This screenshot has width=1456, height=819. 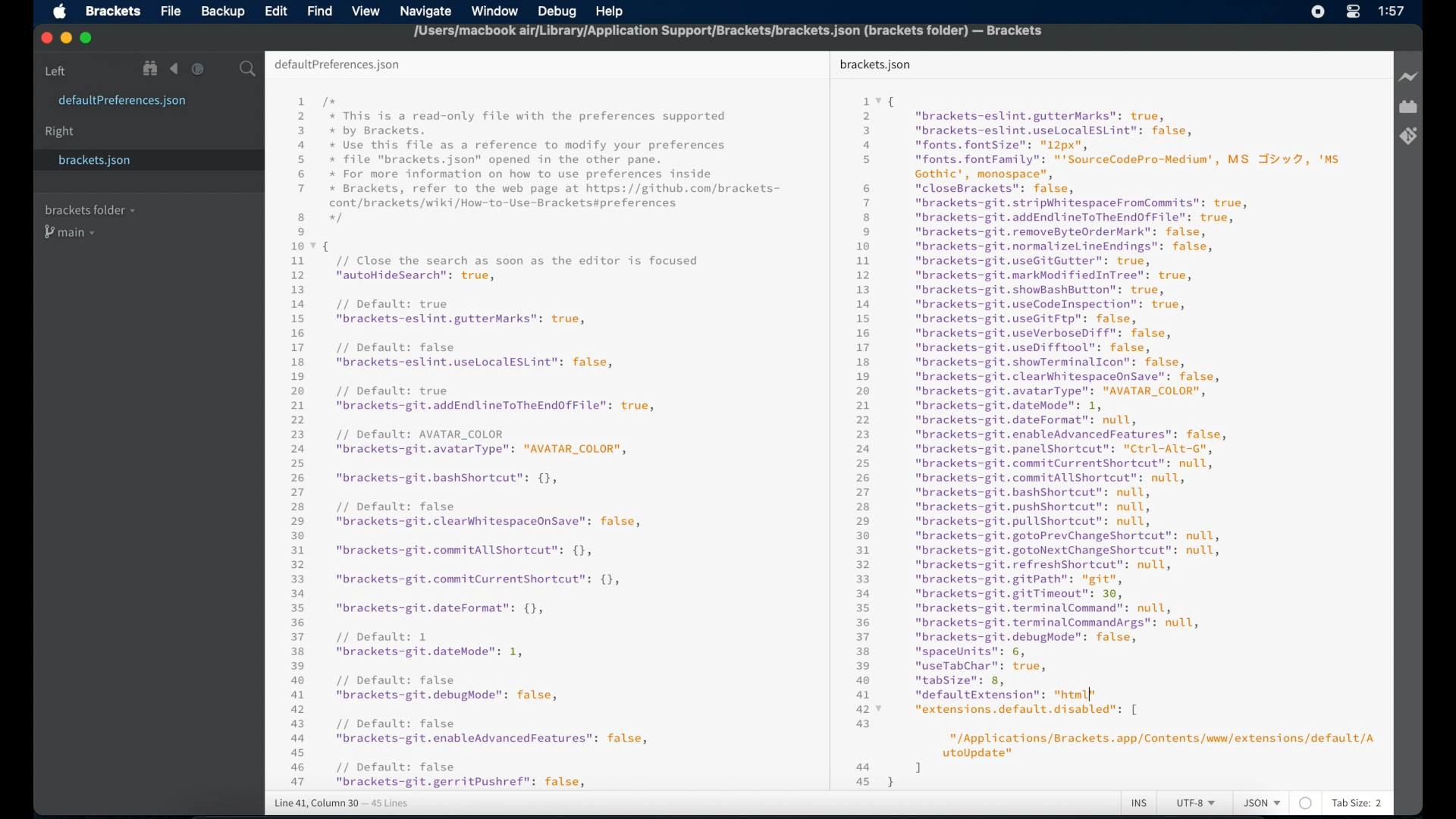 What do you see at coordinates (72, 234) in the screenshot?
I see `main` at bounding box center [72, 234].